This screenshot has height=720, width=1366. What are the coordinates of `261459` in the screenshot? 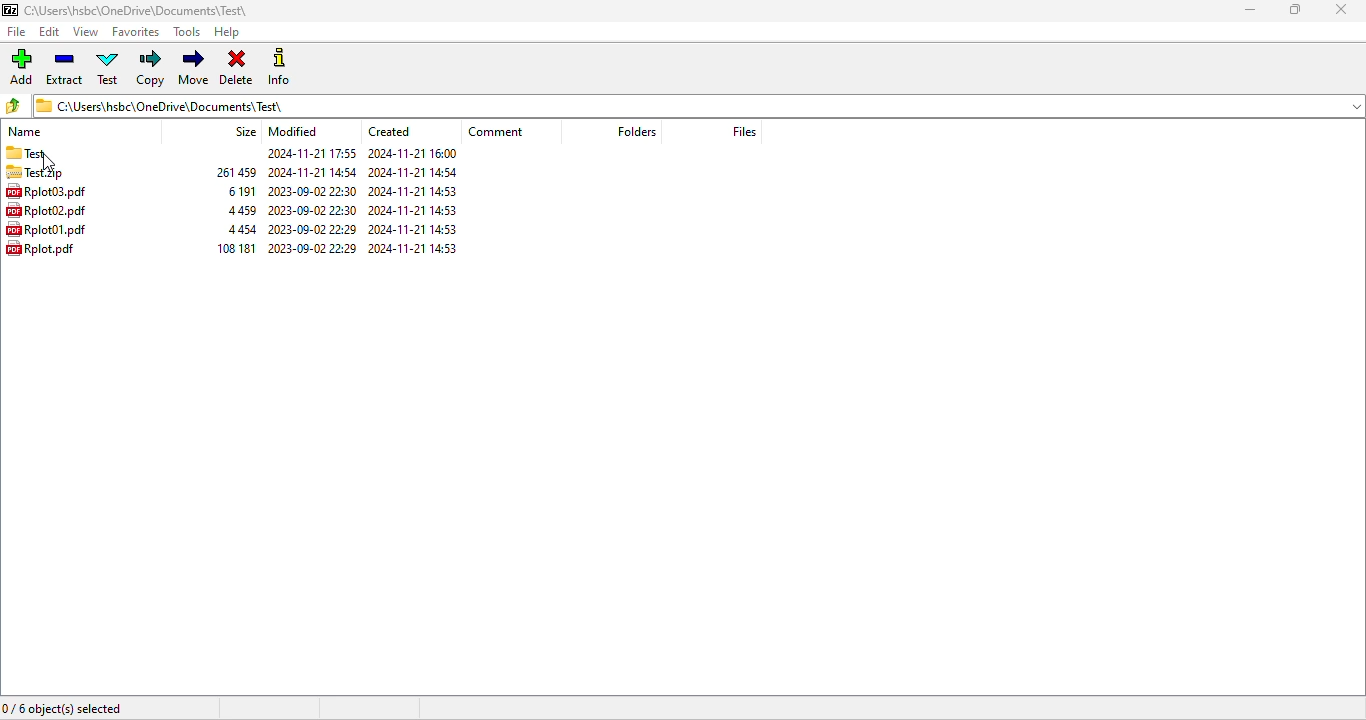 It's located at (233, 171).